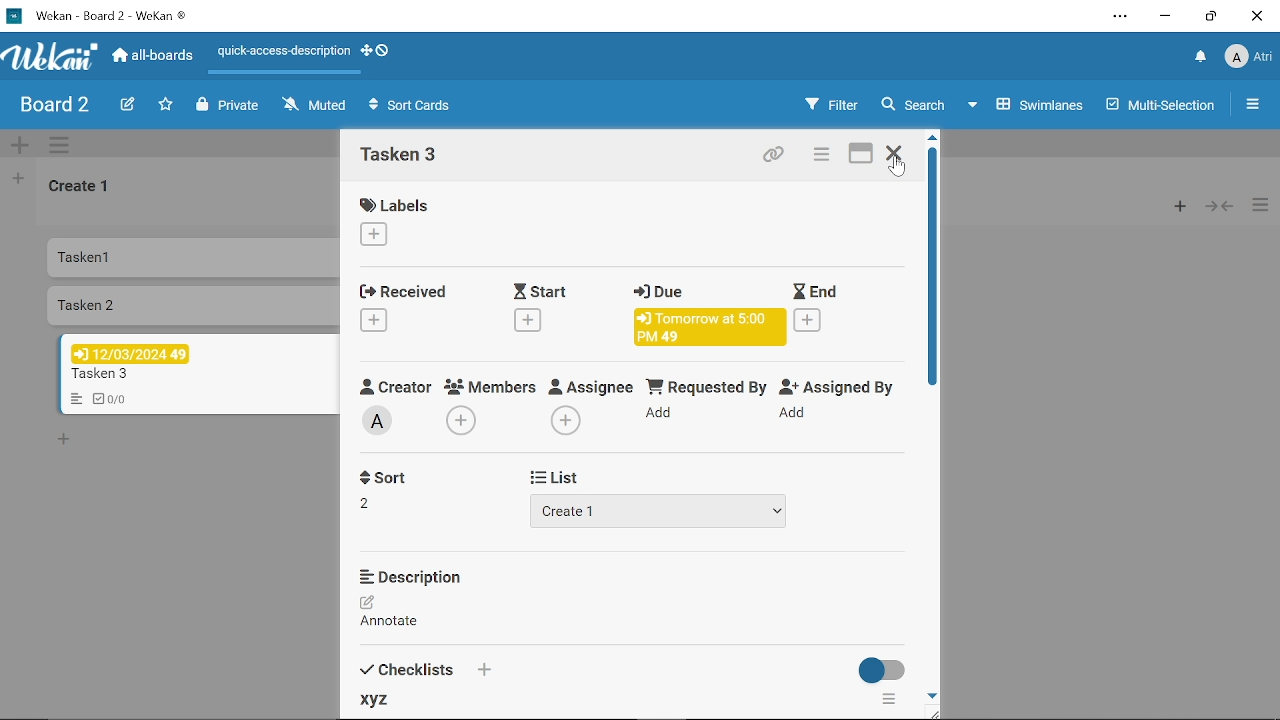 The height and width of the screenshot is (720, 1280). I want to click on More, so click(1250, 105).